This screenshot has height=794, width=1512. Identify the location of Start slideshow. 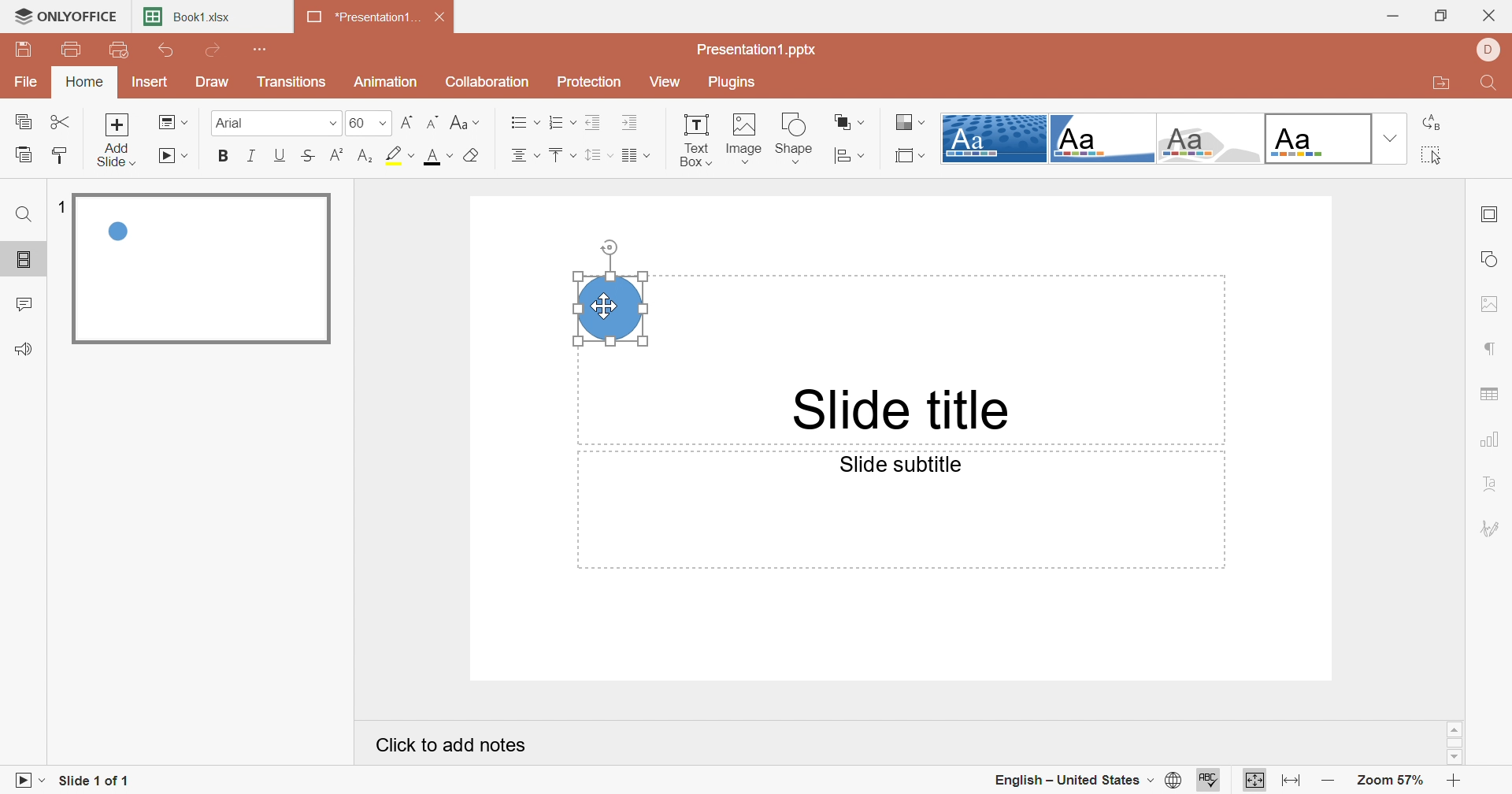
(175, 156).